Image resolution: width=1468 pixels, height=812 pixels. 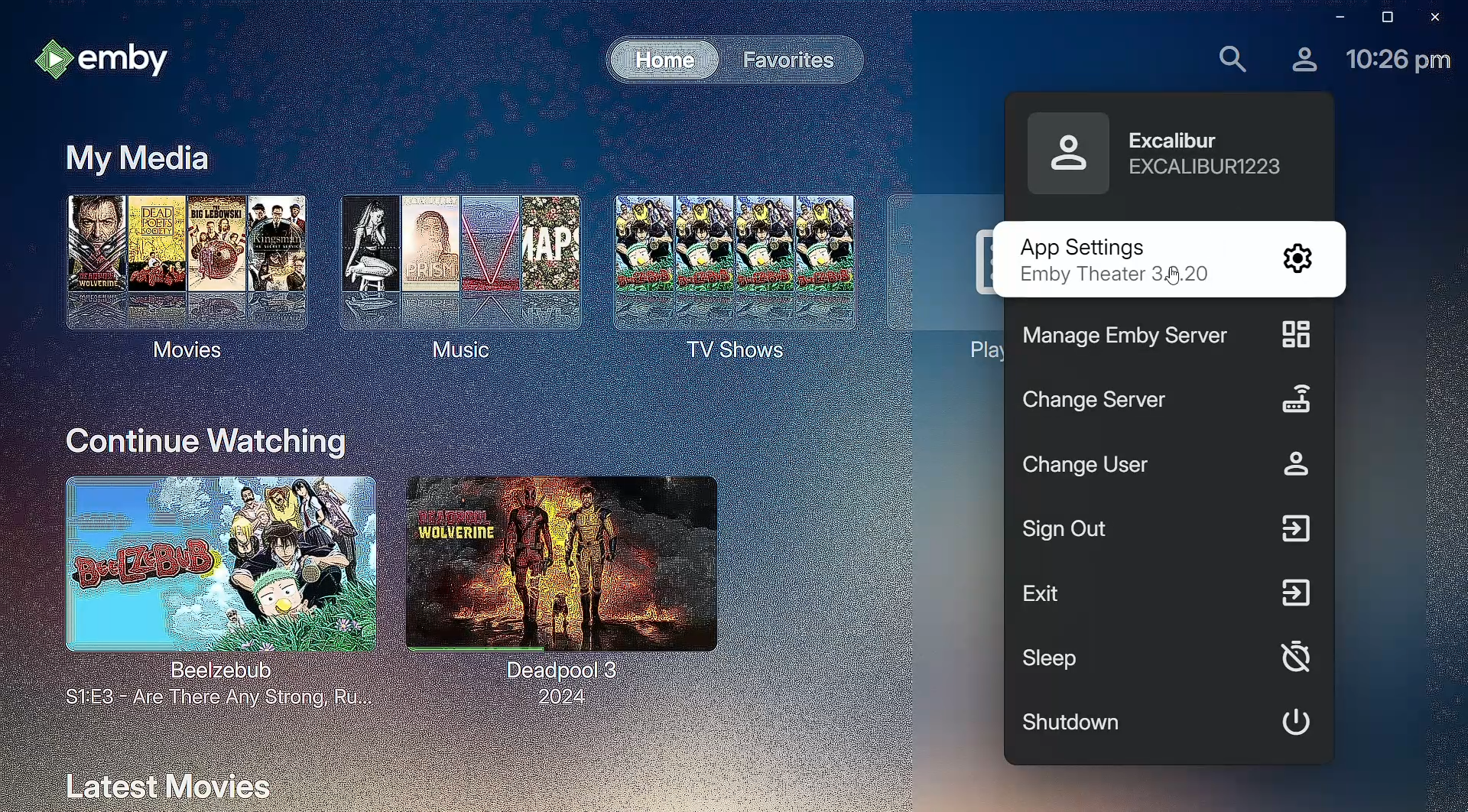 I want to click on emby, so click(x=106, y=59).